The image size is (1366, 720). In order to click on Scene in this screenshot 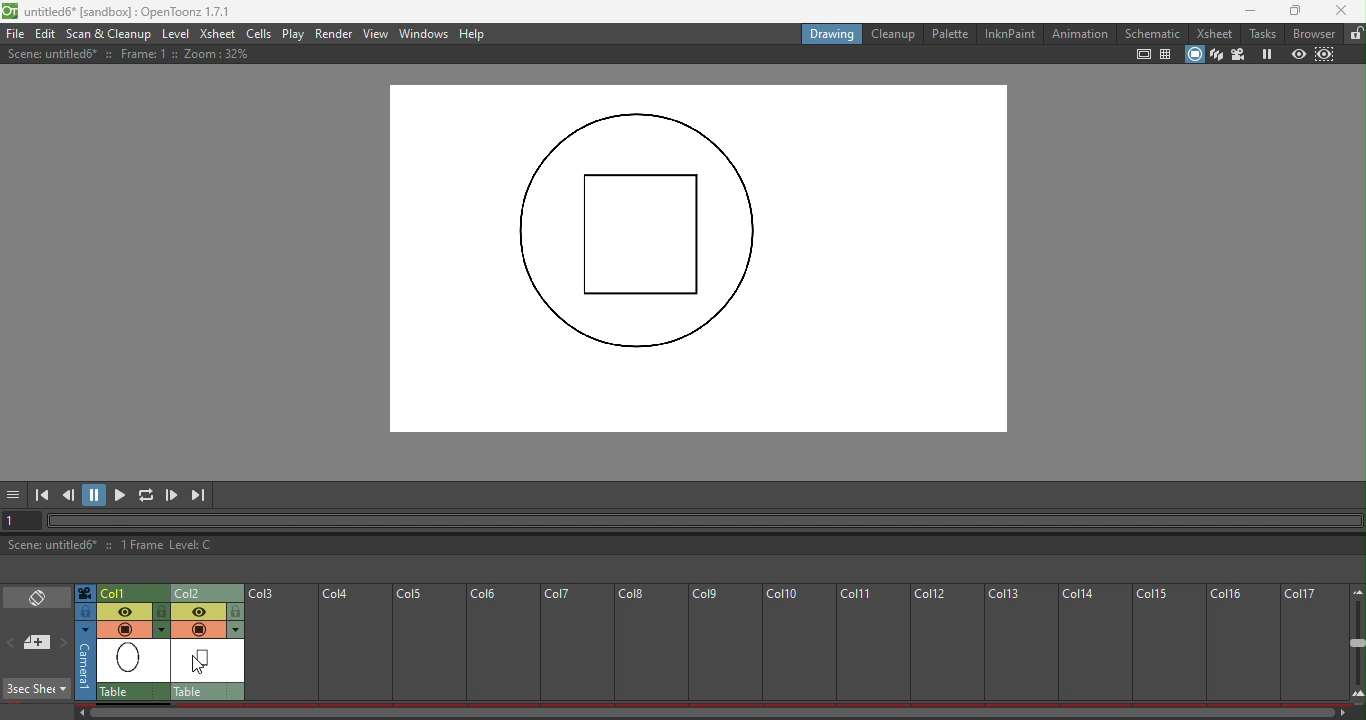, I will do `click(209, 661)`.